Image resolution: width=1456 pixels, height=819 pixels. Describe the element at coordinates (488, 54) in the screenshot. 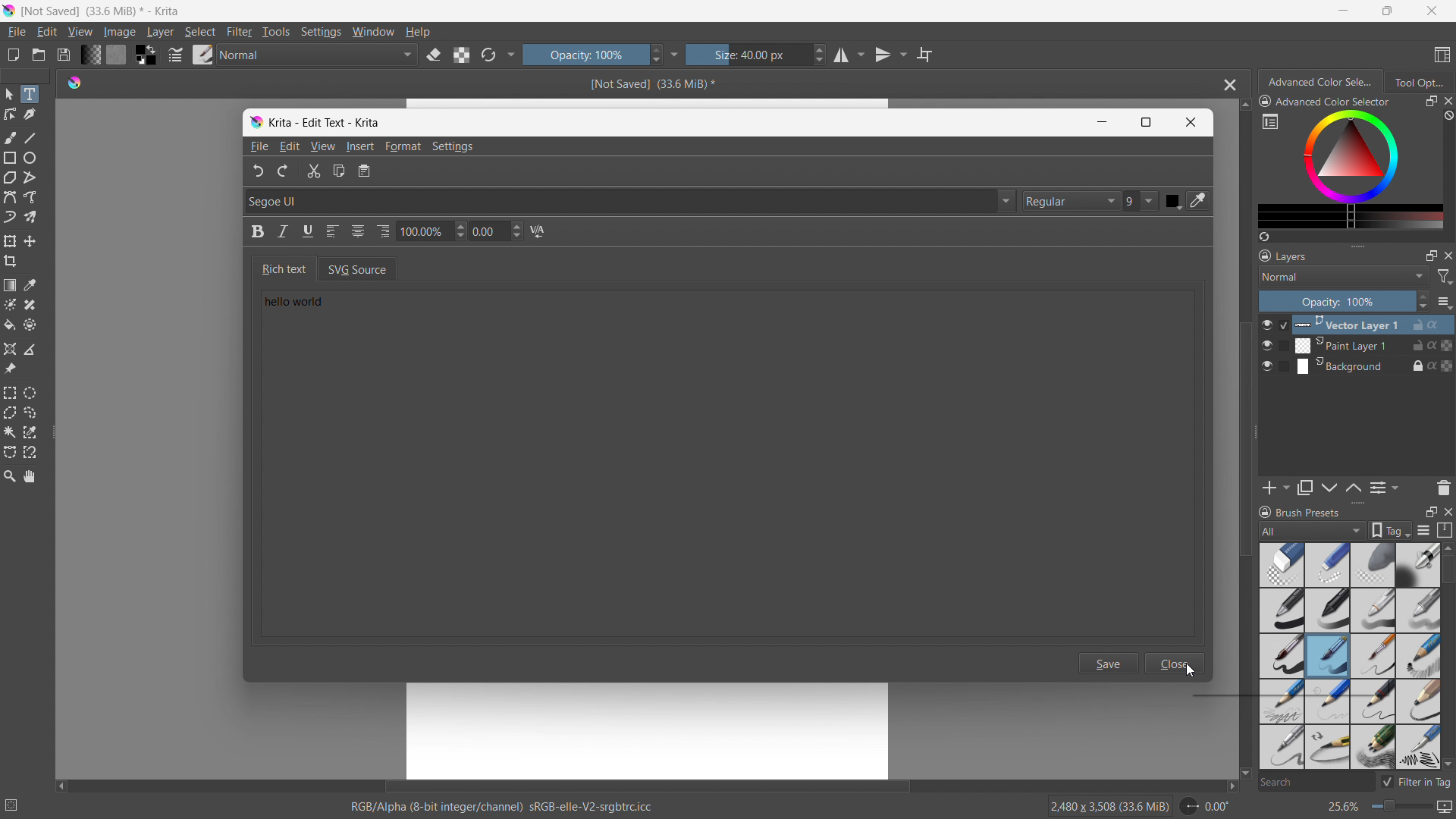

I see `reload original preset` at that location.